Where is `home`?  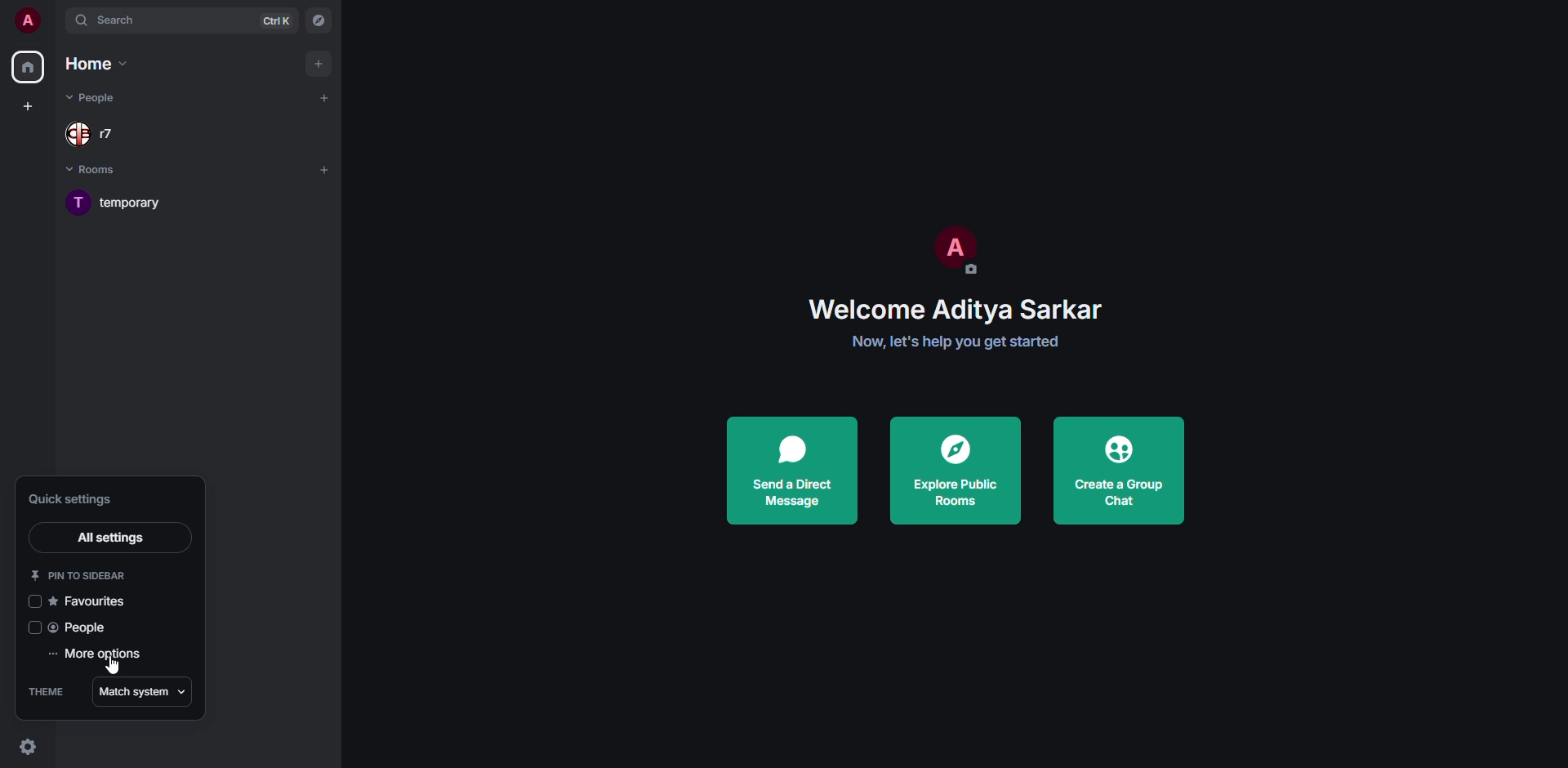
home is located at coordinates (100, 65).